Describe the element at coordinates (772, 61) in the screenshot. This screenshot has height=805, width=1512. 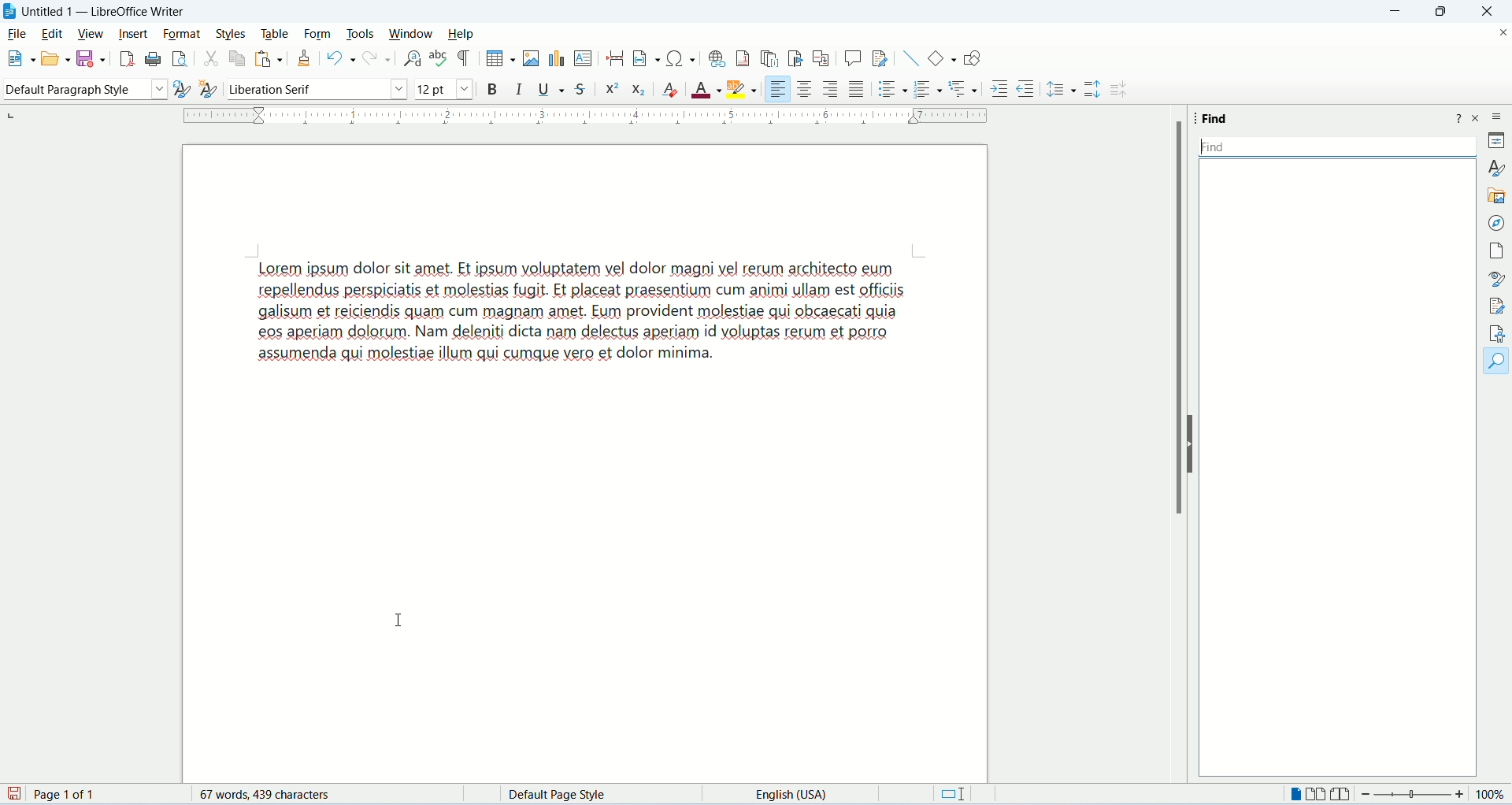
I see `insert endnote` at that location.